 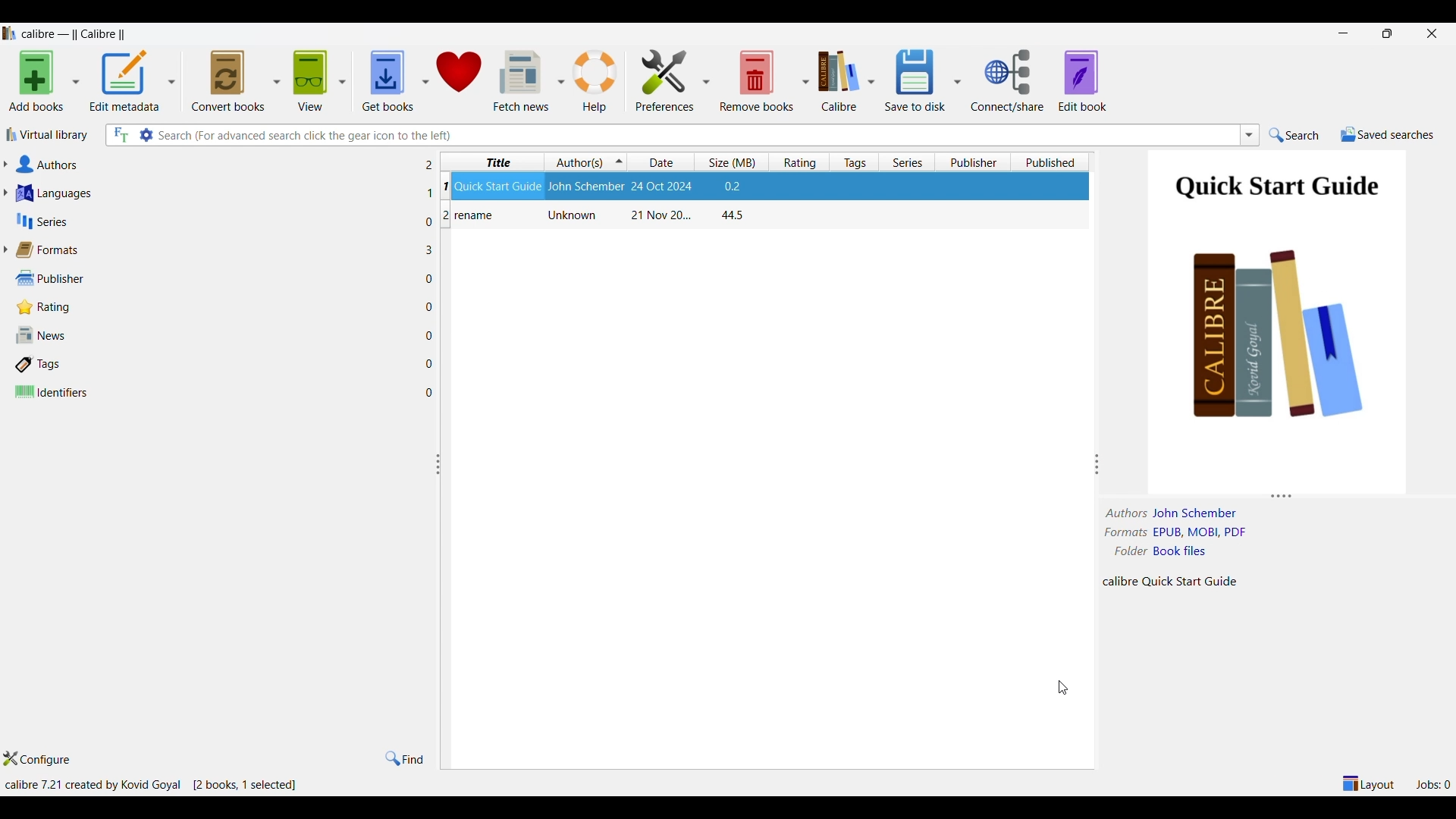 What do you see at coordinates (214, 392) in the screenshot?
I see `Identifiers` at bounding box center [214, 392].